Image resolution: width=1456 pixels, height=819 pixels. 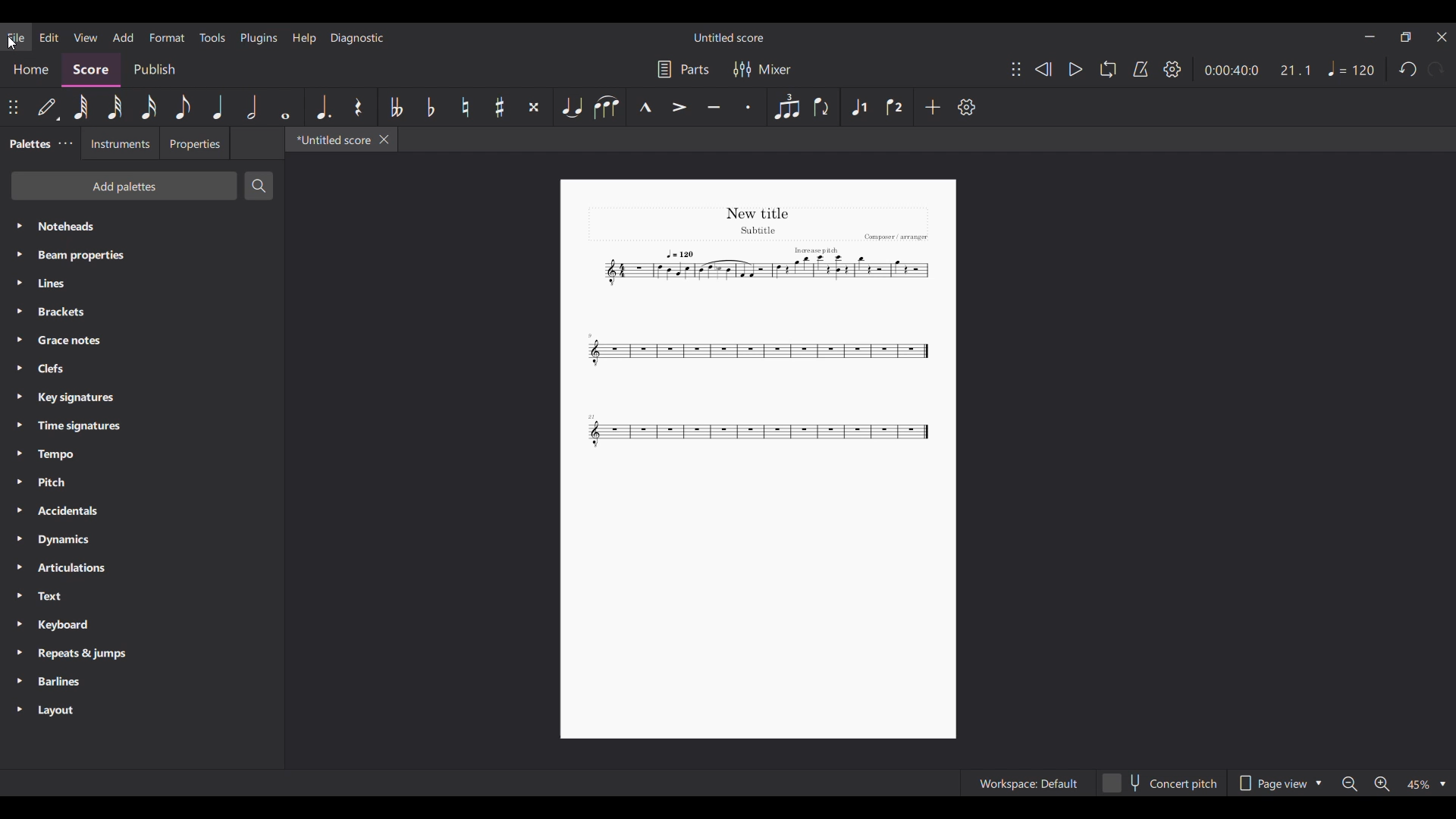 What do you see at coordinates (1077, 69) in the screenshot?
I see `Play` at bounding box center [1077, 69].